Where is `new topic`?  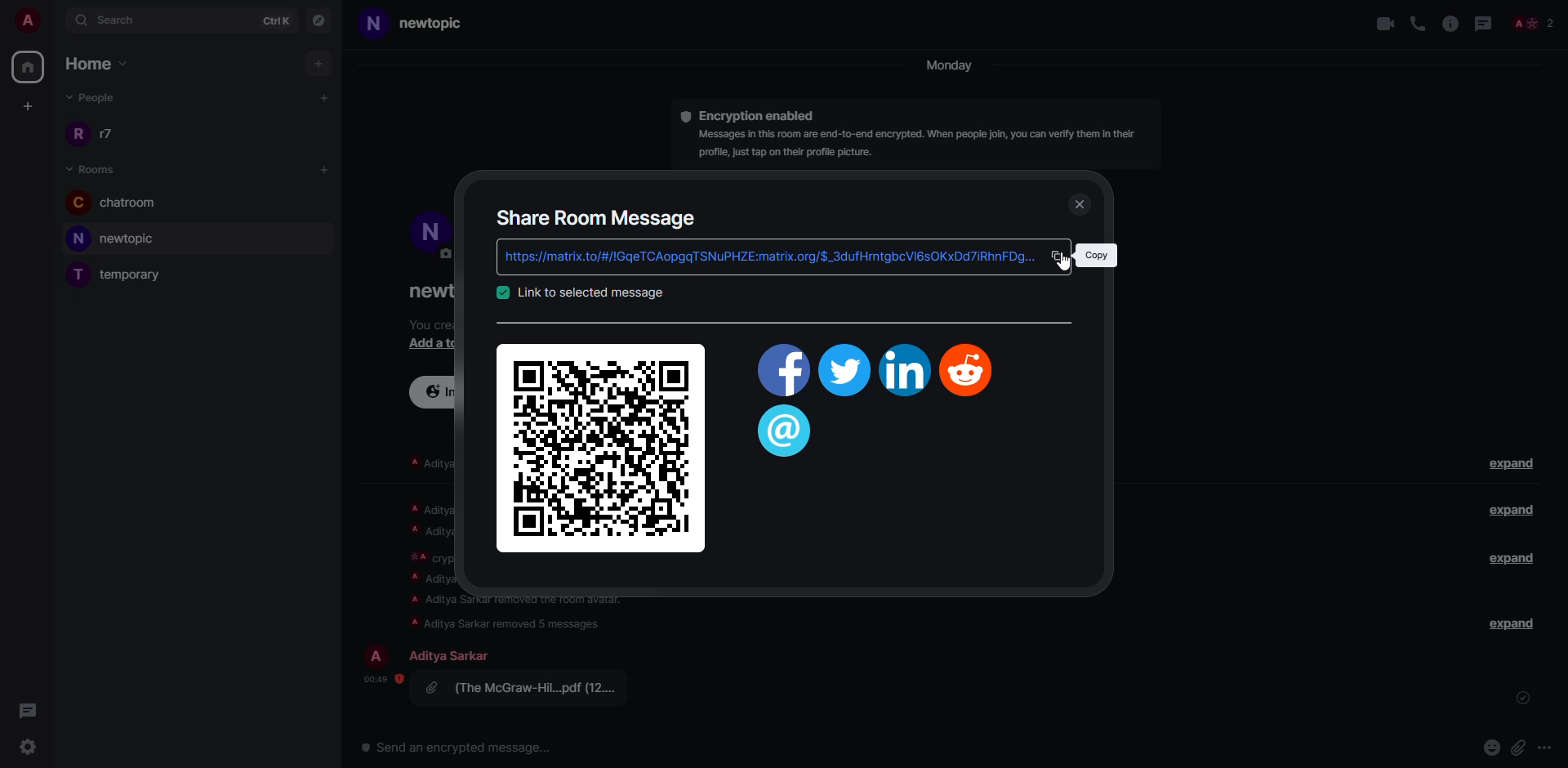
new topic is located at coordinates (424, 24).